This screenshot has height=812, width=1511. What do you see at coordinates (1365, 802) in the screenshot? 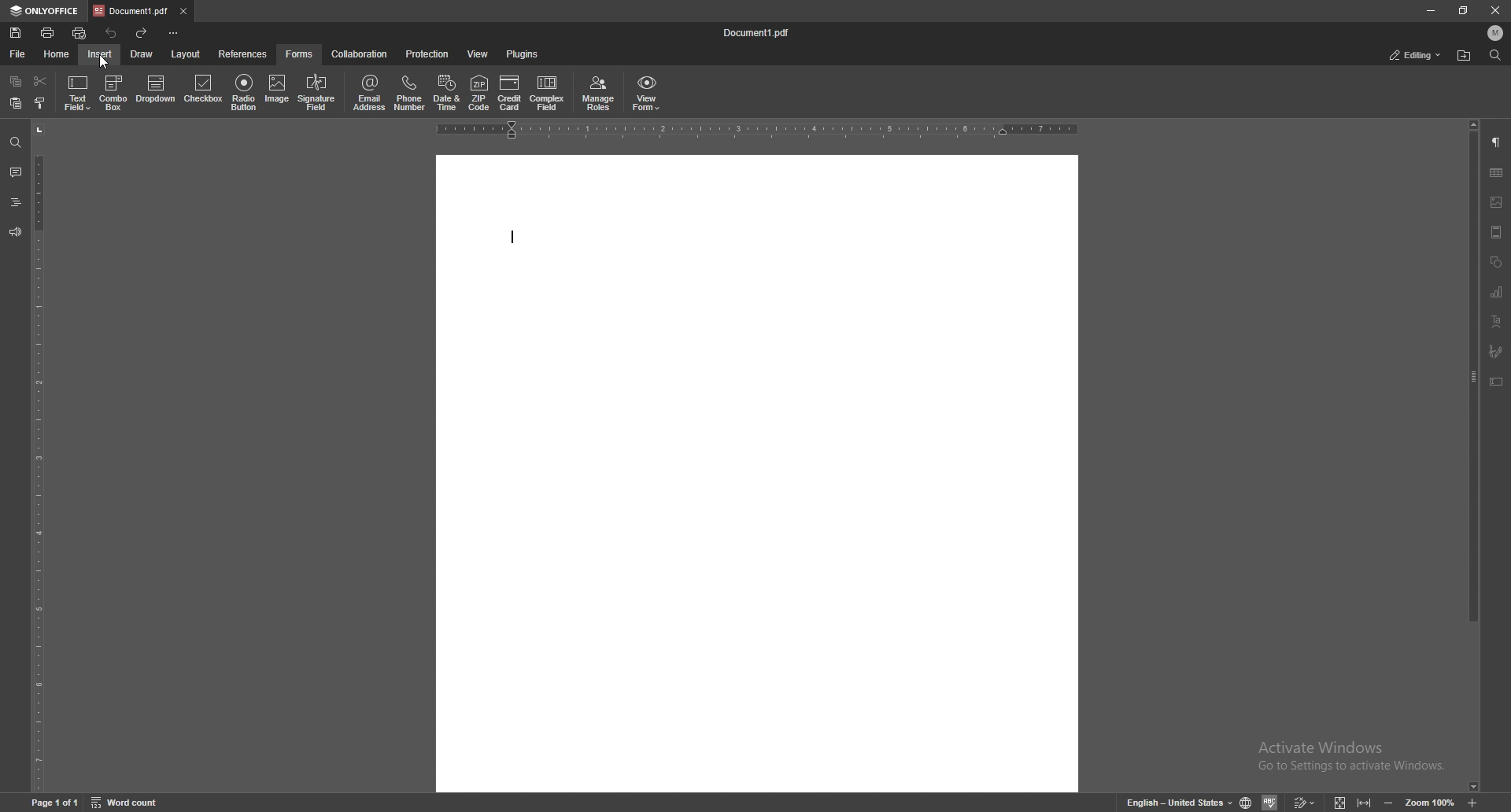
I see `fit to width` at bounding box center [1365, 802].